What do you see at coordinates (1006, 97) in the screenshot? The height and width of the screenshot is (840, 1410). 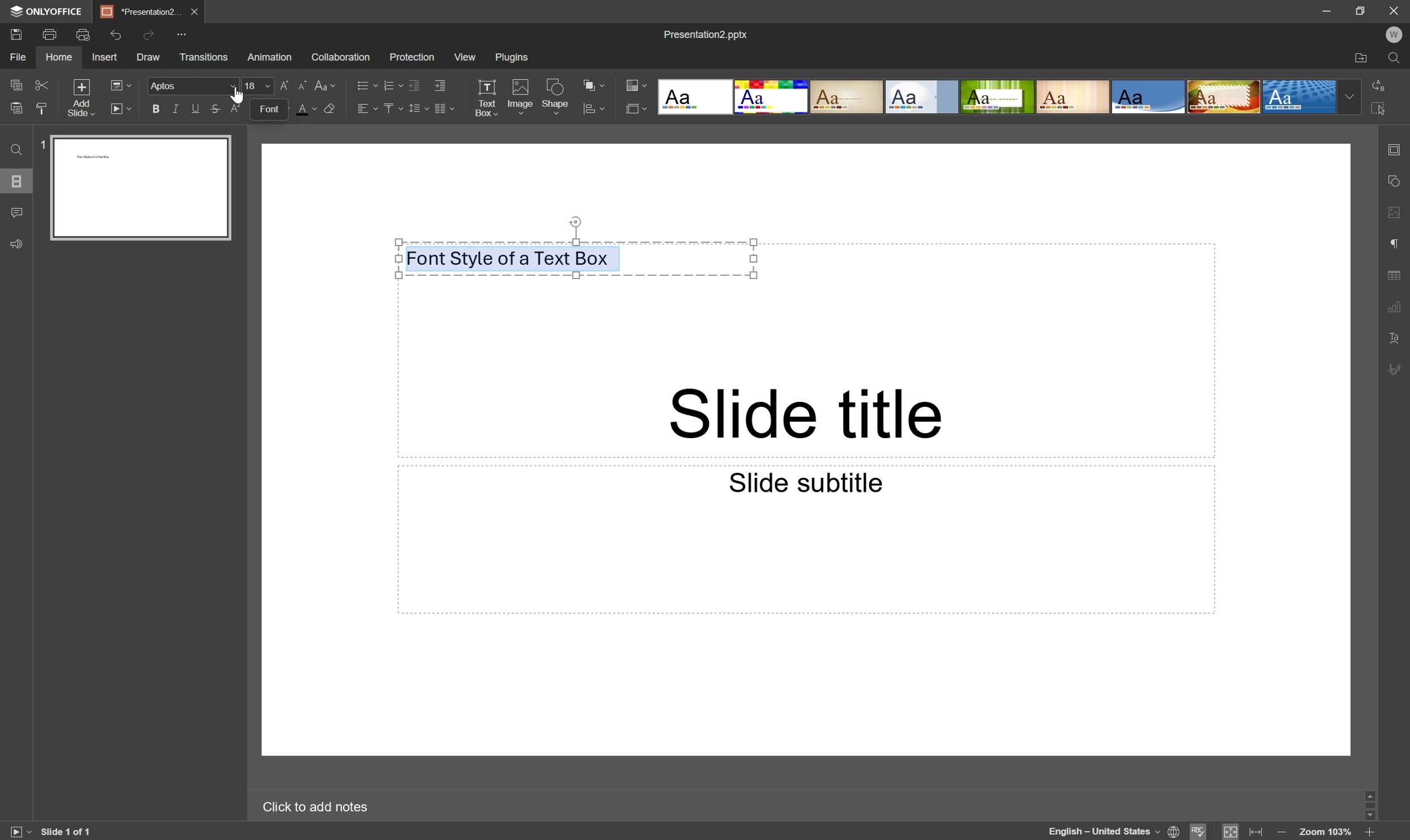 I see `Type of slides` at bounding box center [1006, 97].